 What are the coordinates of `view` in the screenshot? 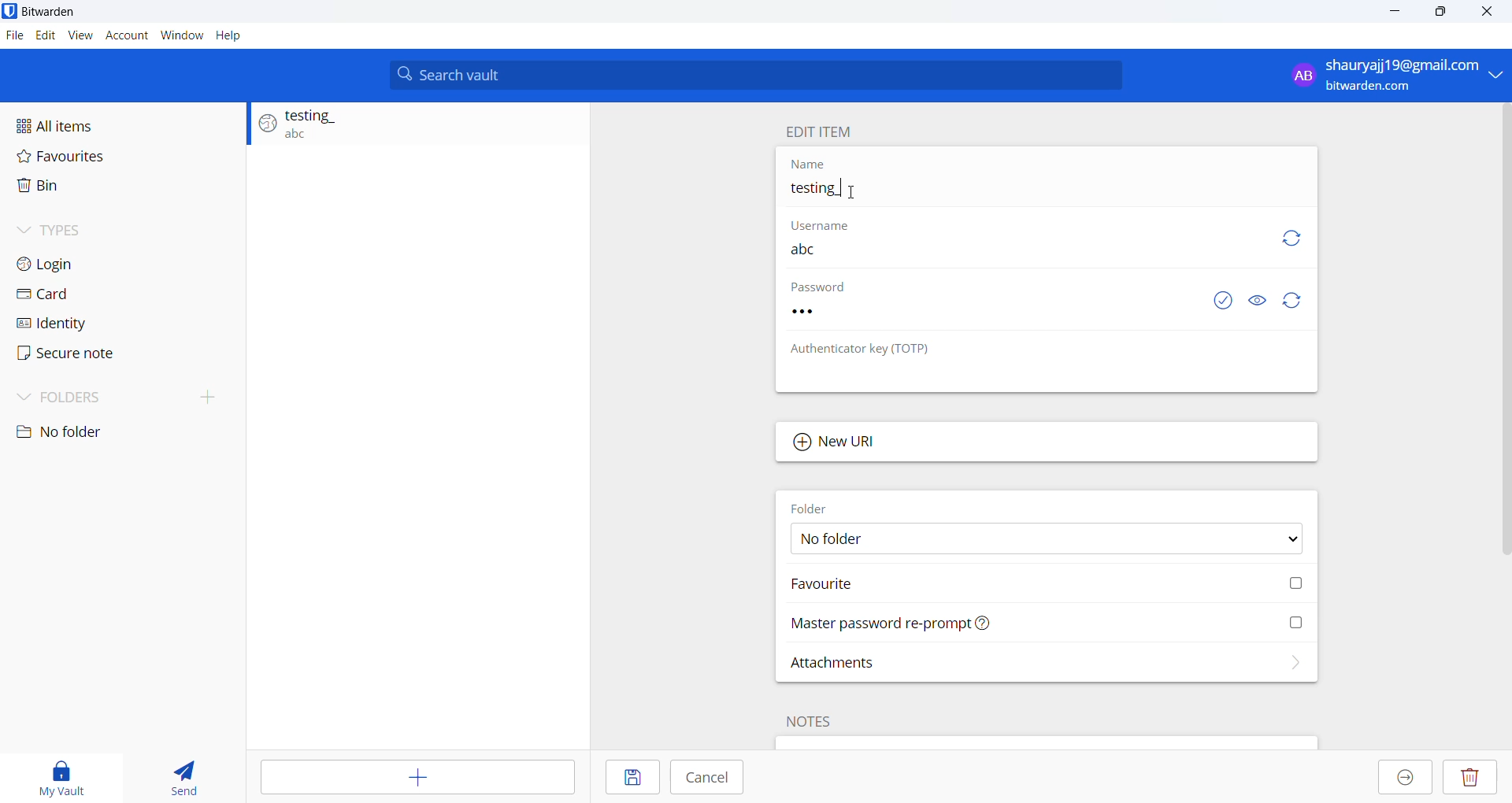 It's located at (80, 34).